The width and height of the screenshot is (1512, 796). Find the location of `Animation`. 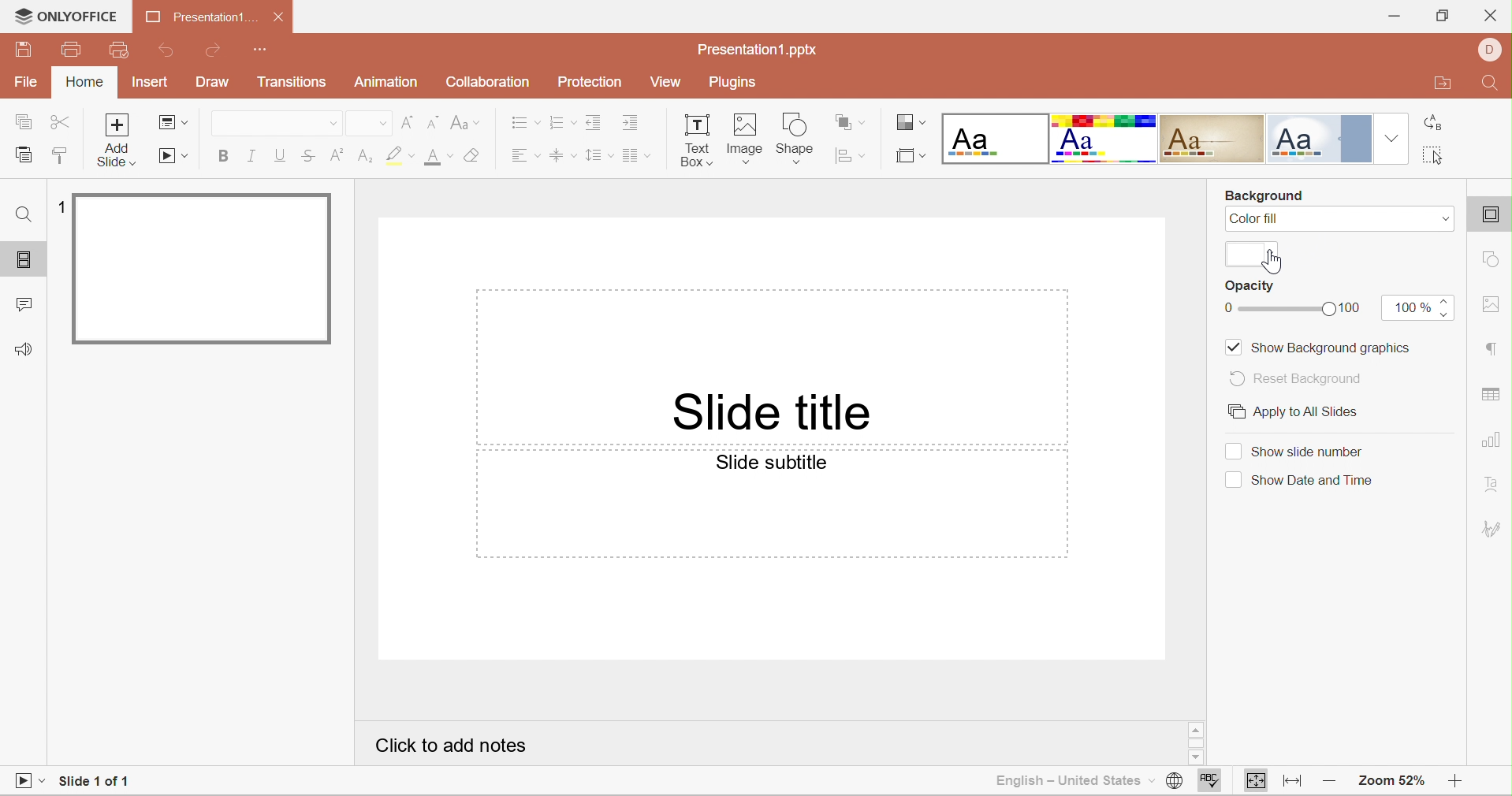

Animation is located at coordinates (390, 84).